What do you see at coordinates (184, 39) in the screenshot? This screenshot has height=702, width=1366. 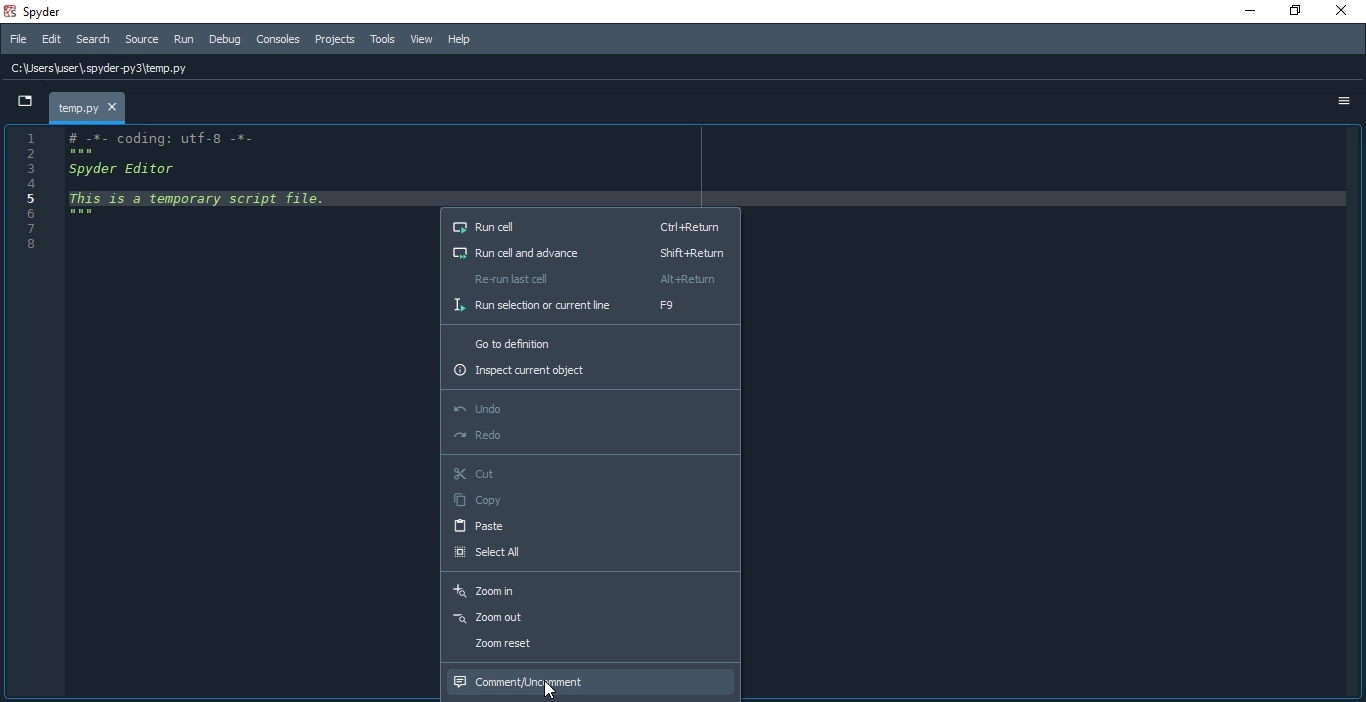 I see `Run` at bounding box center [184, 39].